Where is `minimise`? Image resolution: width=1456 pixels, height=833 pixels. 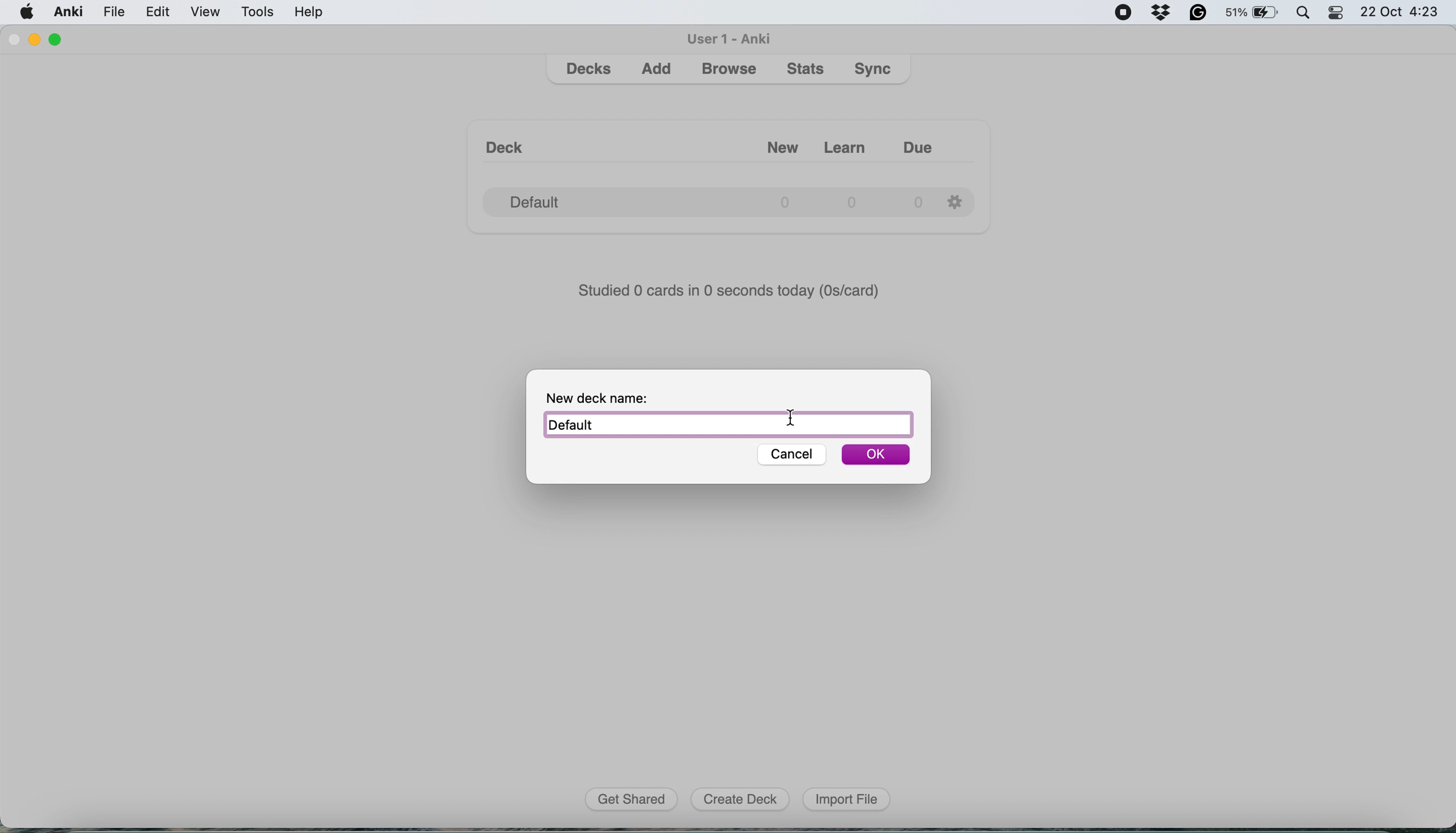
minimise is located at coordinates (39, 40).